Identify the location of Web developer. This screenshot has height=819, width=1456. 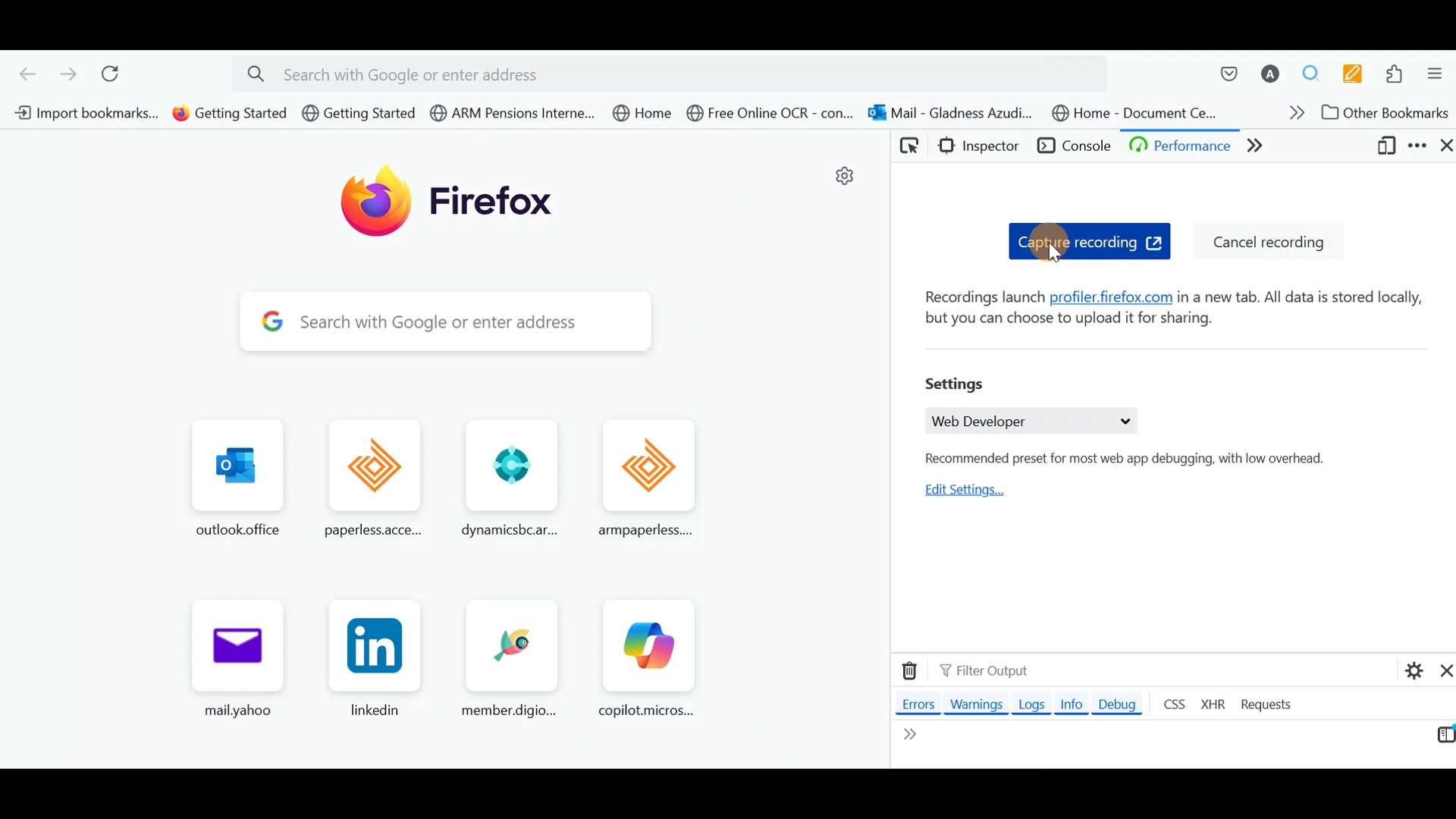
(1122, 438).